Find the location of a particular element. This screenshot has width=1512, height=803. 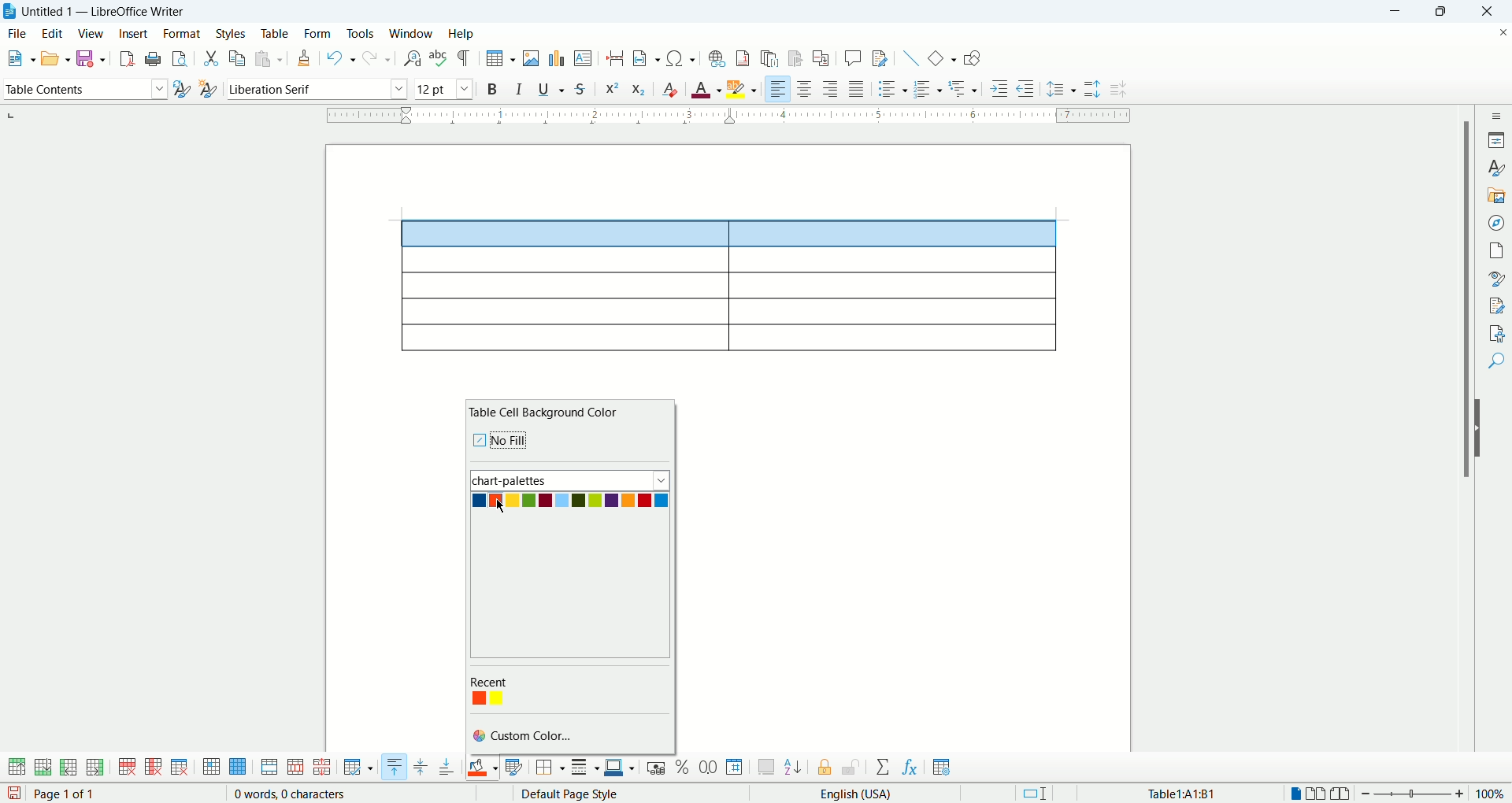

help is located at coordinates (461, 35).